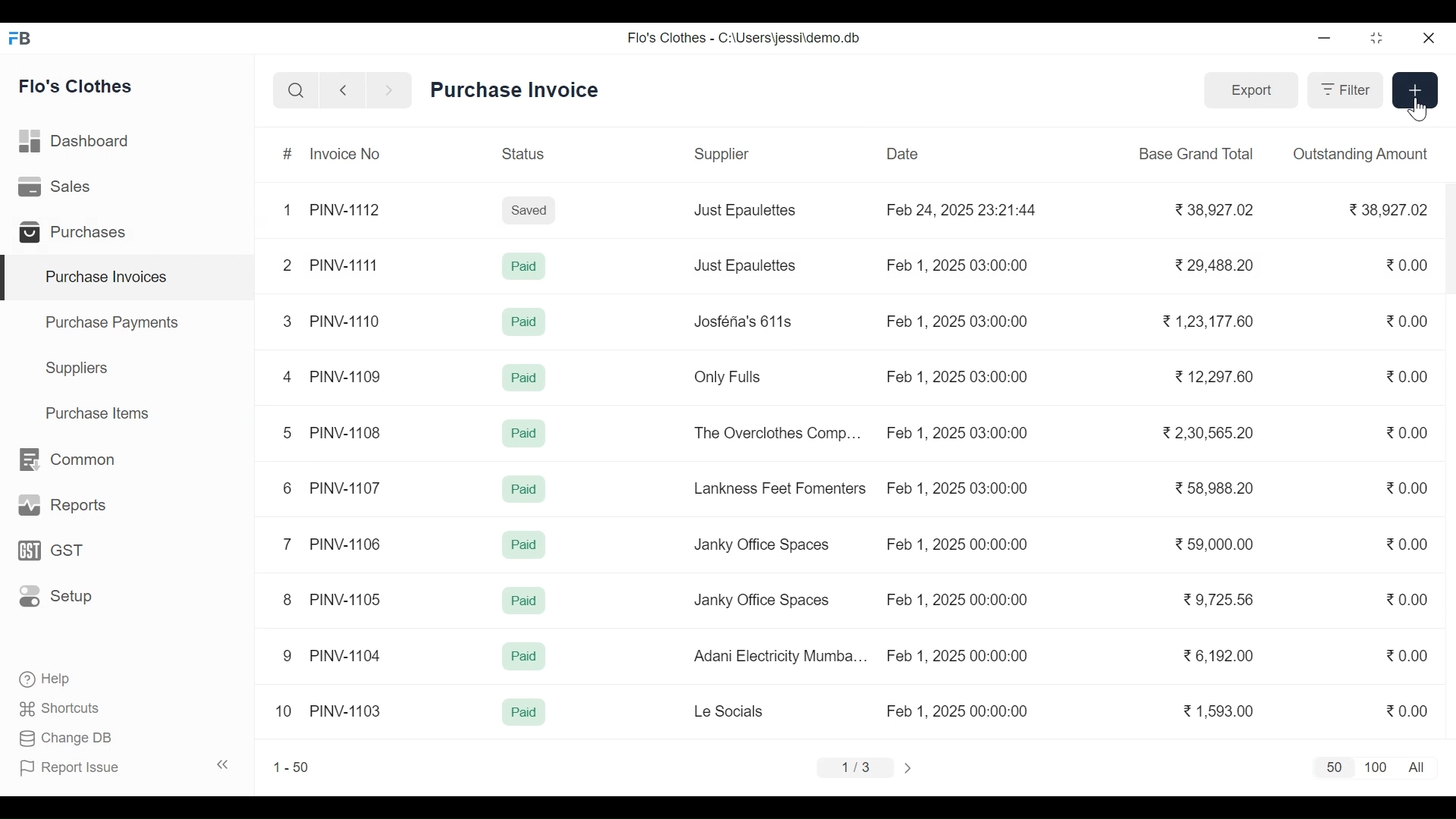  I want to click on £0.00, so click(1407, 488).